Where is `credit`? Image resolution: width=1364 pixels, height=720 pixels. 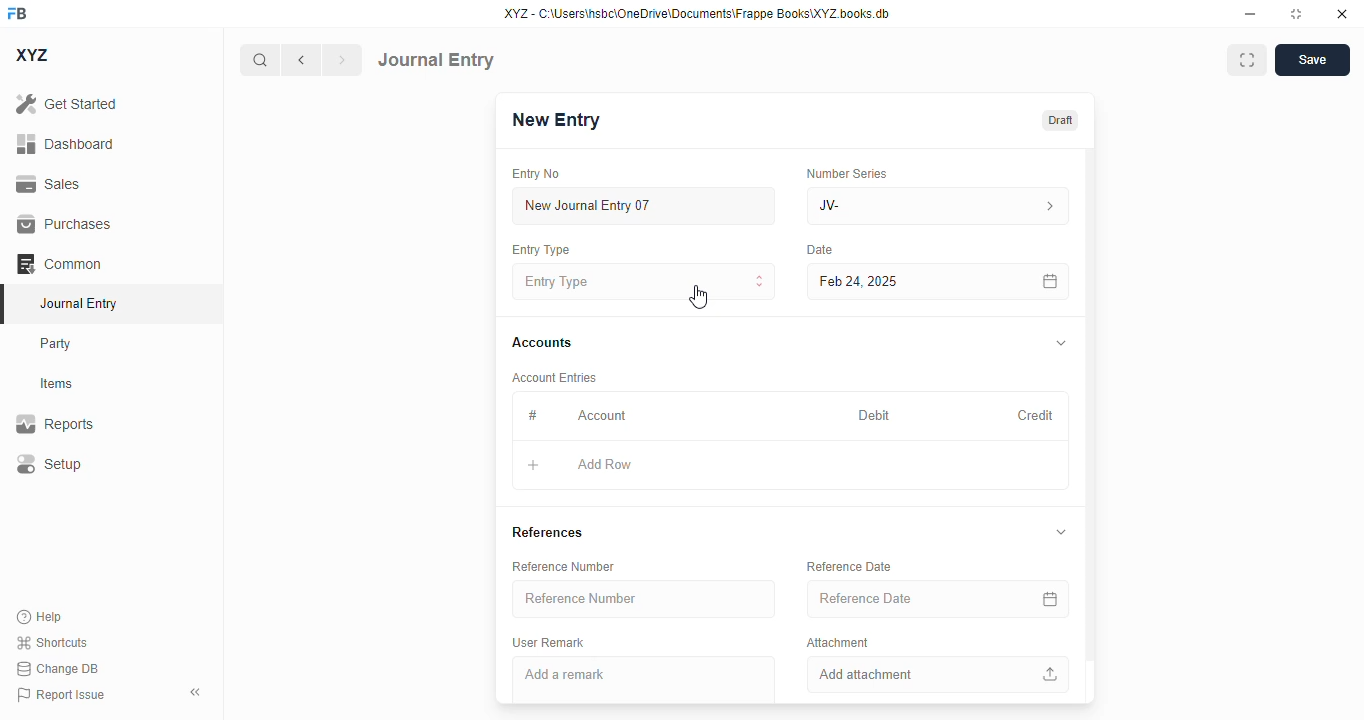
credit is located at coordinates (1037, 415).